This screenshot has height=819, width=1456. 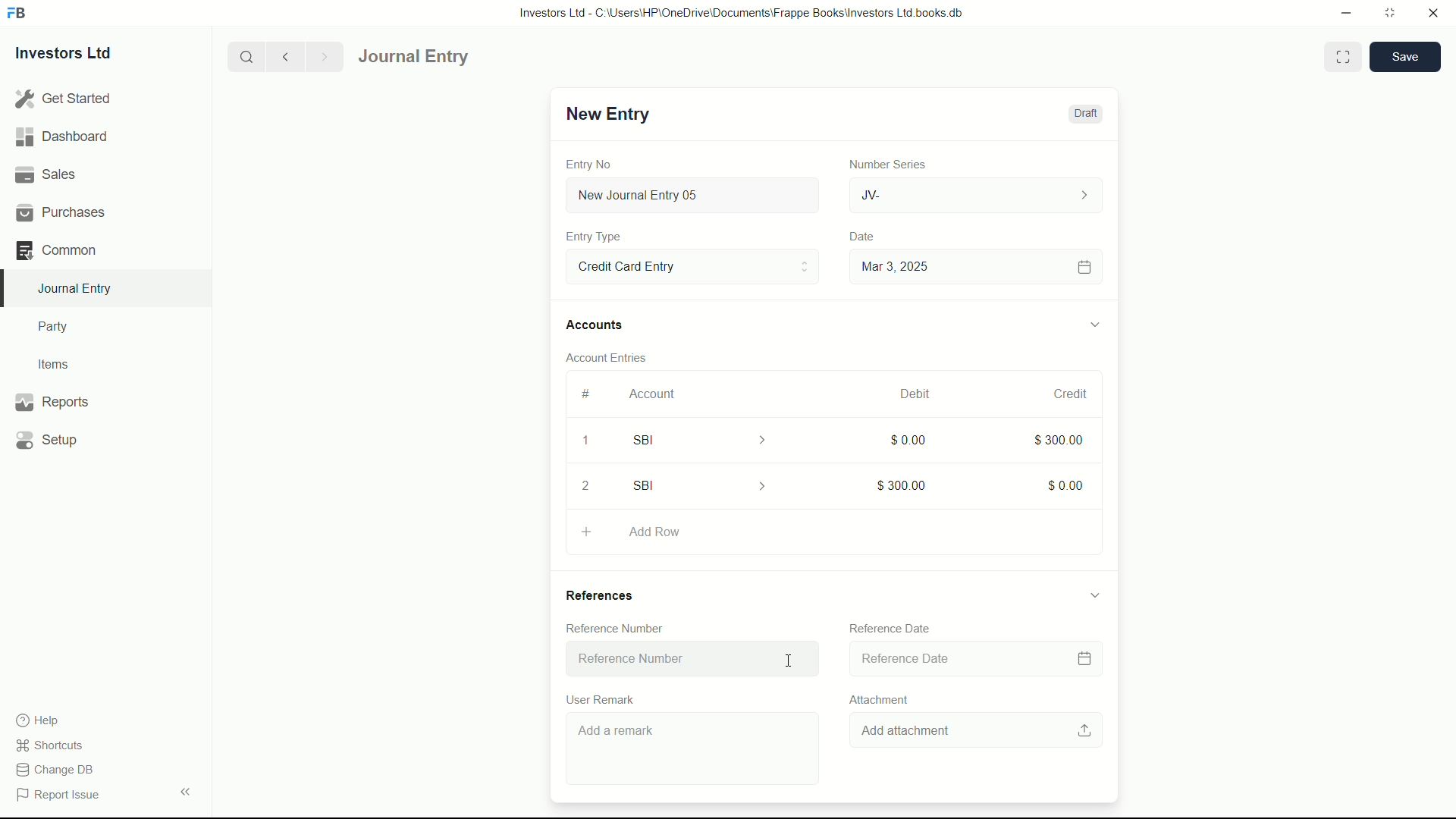 What do you see at coordinates (908, 394) in the screenshot?
I see `Debit` at bounding box center [908, 394].